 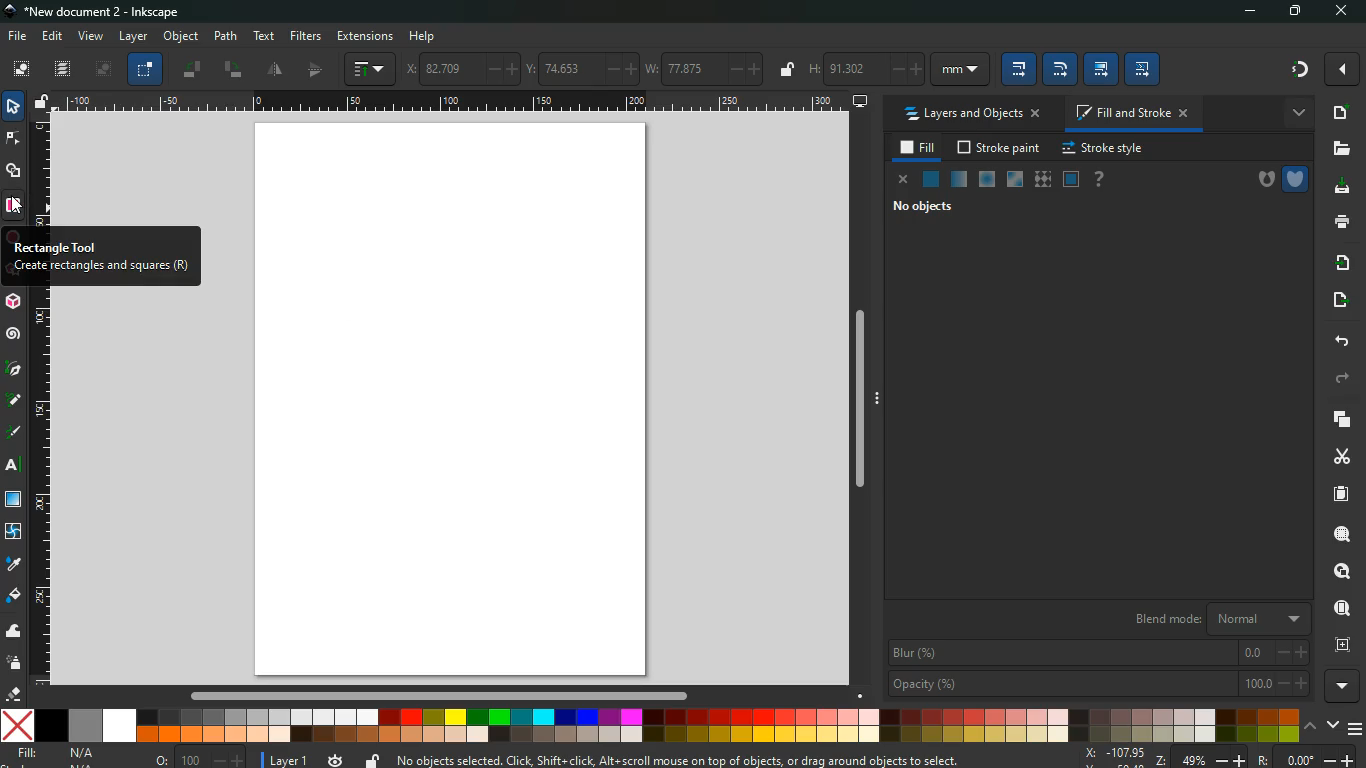 What do you see at coordinates (15, 530) in the screenshot?
I see `twist` at bounding box center [15, 530].